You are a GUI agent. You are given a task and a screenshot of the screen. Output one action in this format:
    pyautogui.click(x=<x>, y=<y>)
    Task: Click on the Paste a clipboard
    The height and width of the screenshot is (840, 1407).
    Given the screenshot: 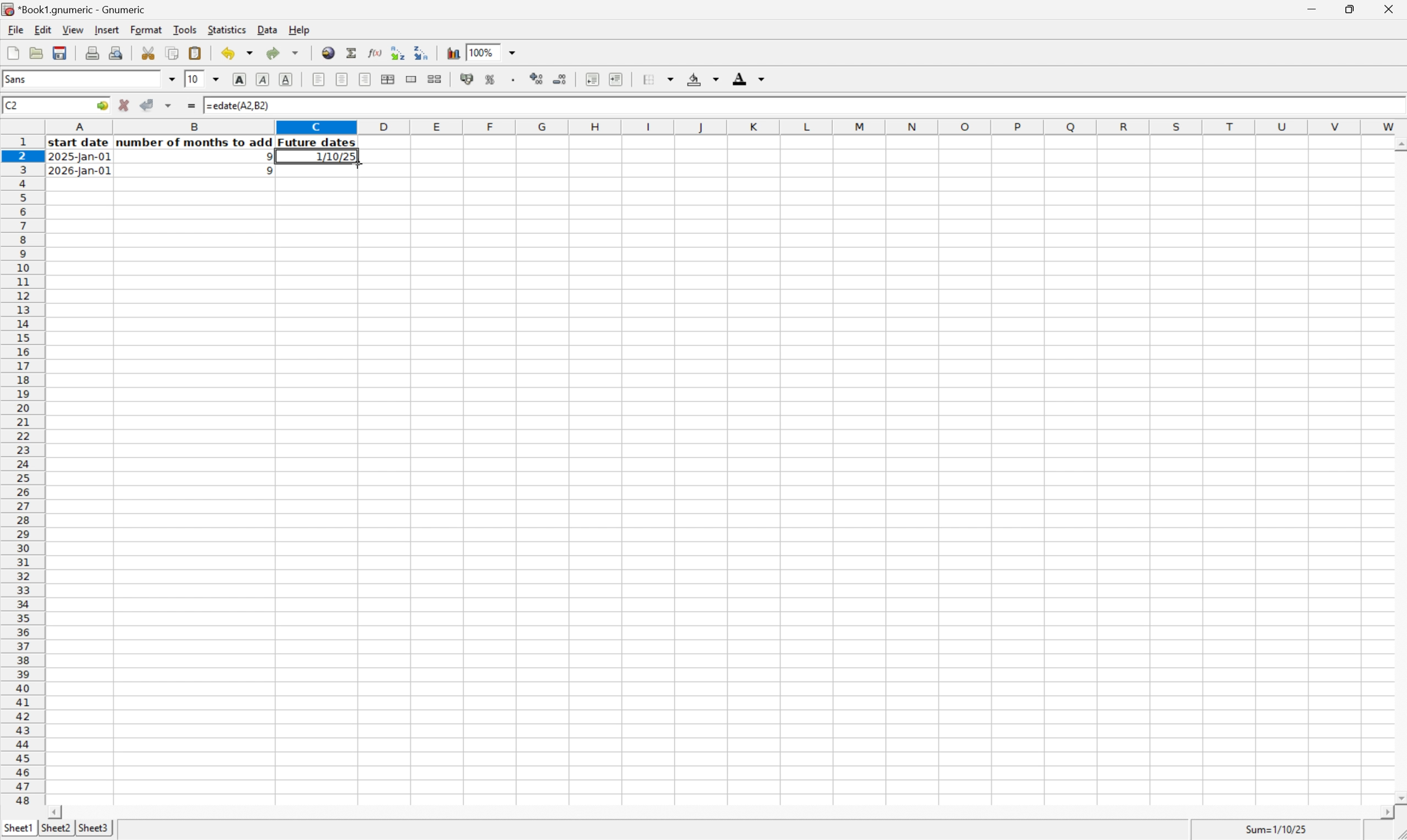 What is the action you would take?
    pyautogui.click(x=196, y=53)
    